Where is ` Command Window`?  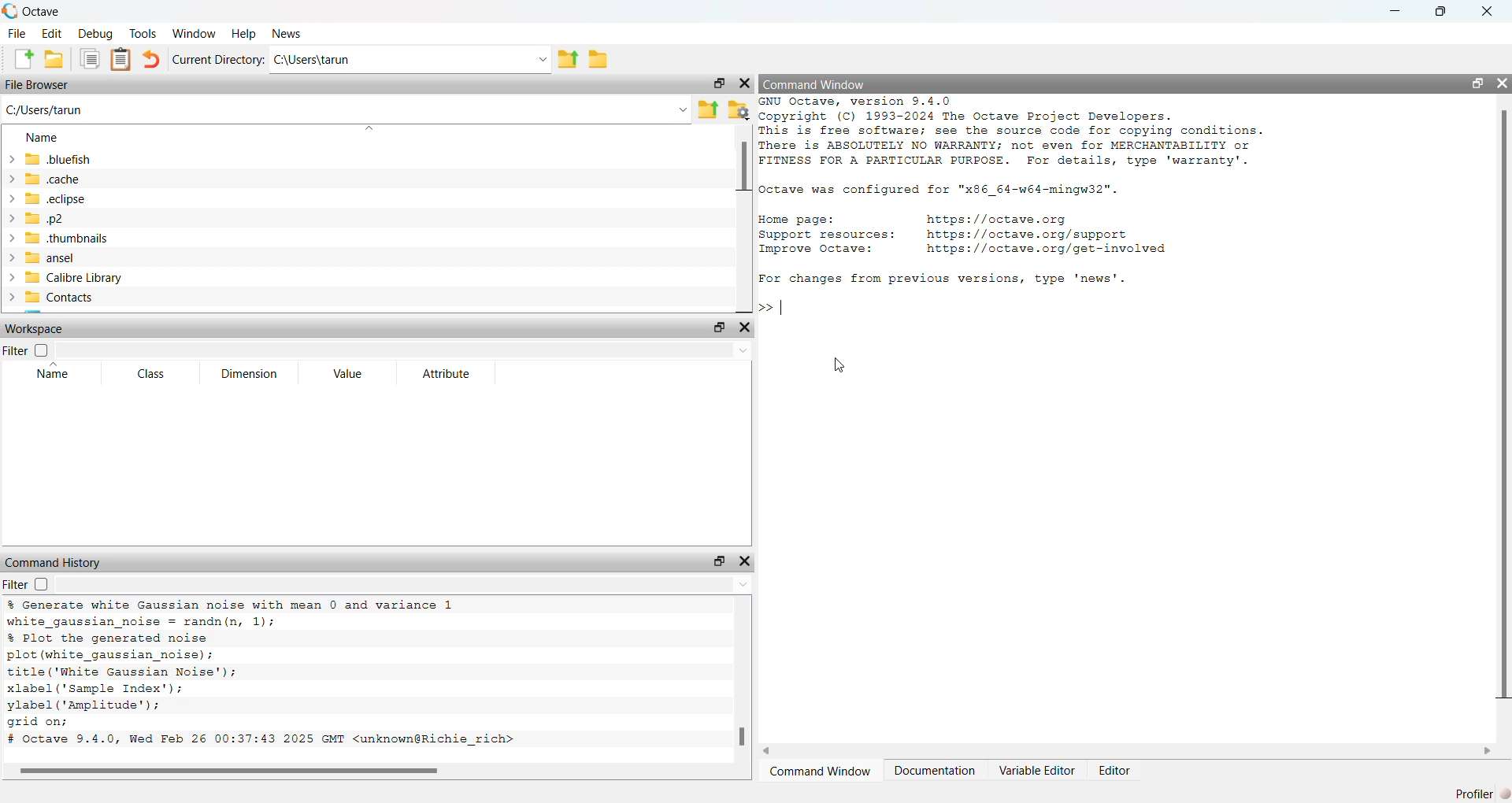
 Command Window is located at coordinates (824, 84).